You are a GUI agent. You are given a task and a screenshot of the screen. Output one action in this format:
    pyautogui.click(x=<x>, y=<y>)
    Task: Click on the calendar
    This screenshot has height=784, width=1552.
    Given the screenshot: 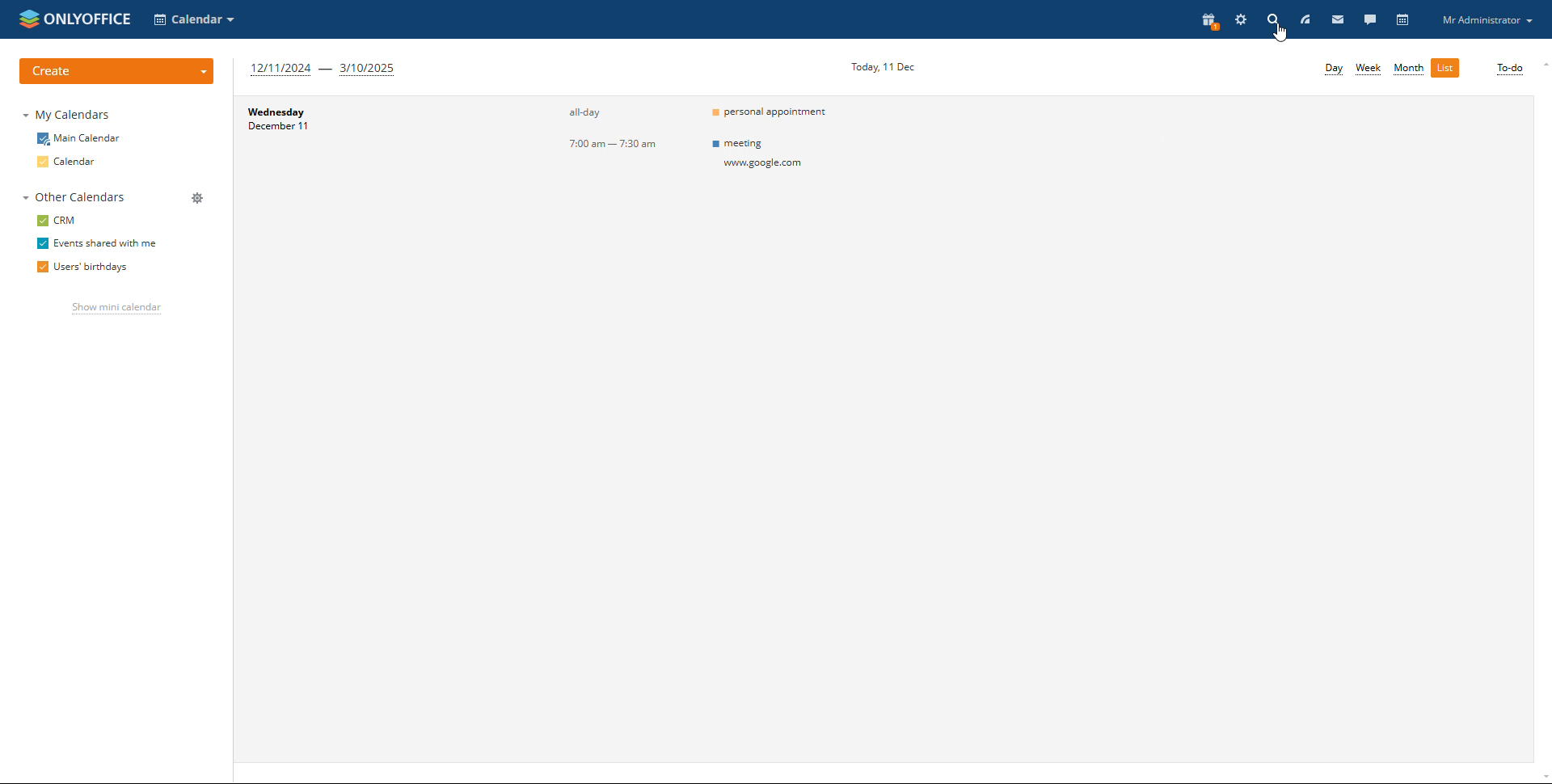 What is the action you would take?
    pyautogui.click(x=1402, y=20)
    